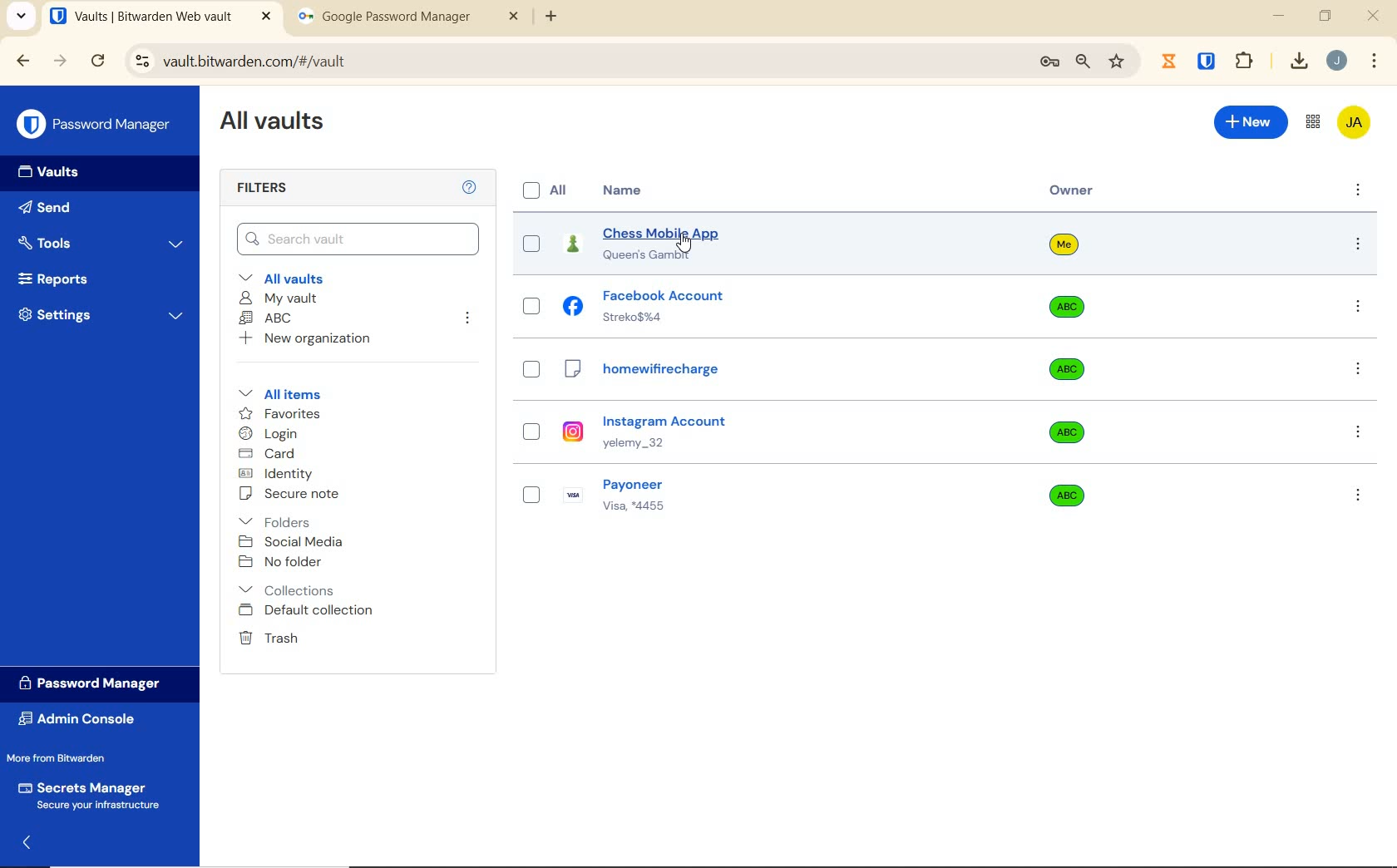  Describe the element at coordinates (274, 123) in the screenshot. I see `All Vaults` at that location.